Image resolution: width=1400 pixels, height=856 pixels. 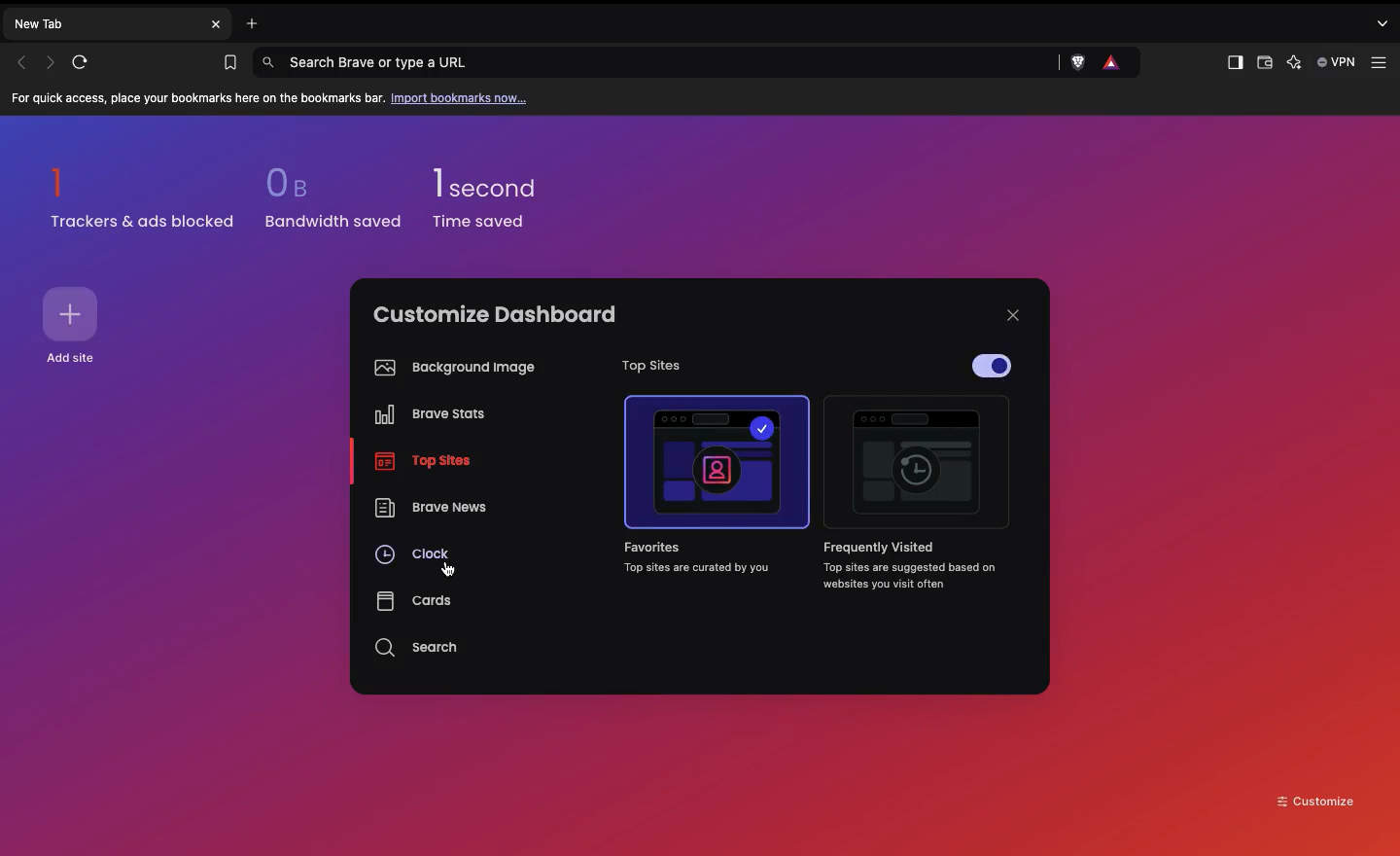 I want to click on Top sites, so click(x=645, y=367).